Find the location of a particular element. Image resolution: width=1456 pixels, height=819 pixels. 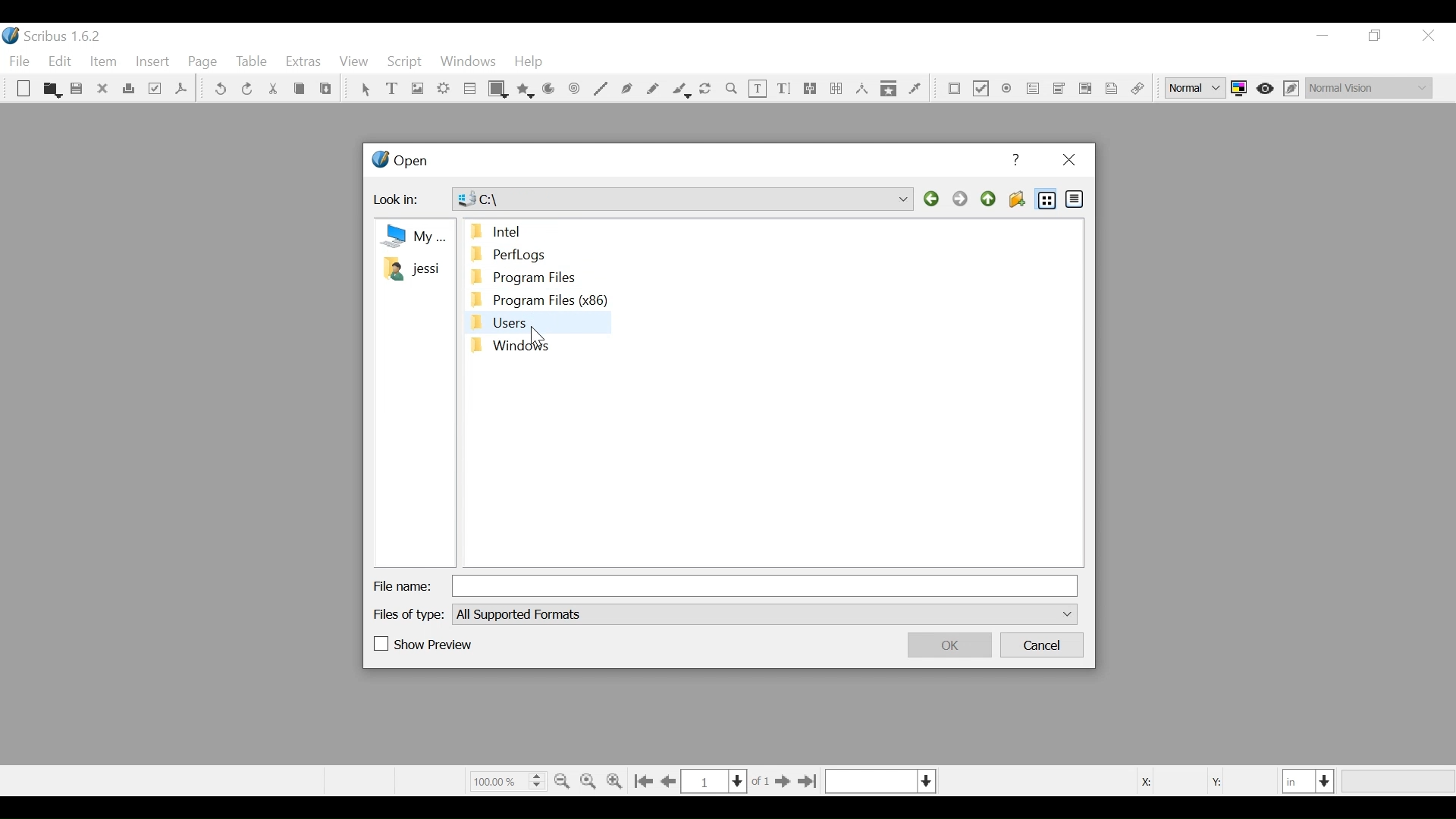

Extras is located at coordinates (303, 63).